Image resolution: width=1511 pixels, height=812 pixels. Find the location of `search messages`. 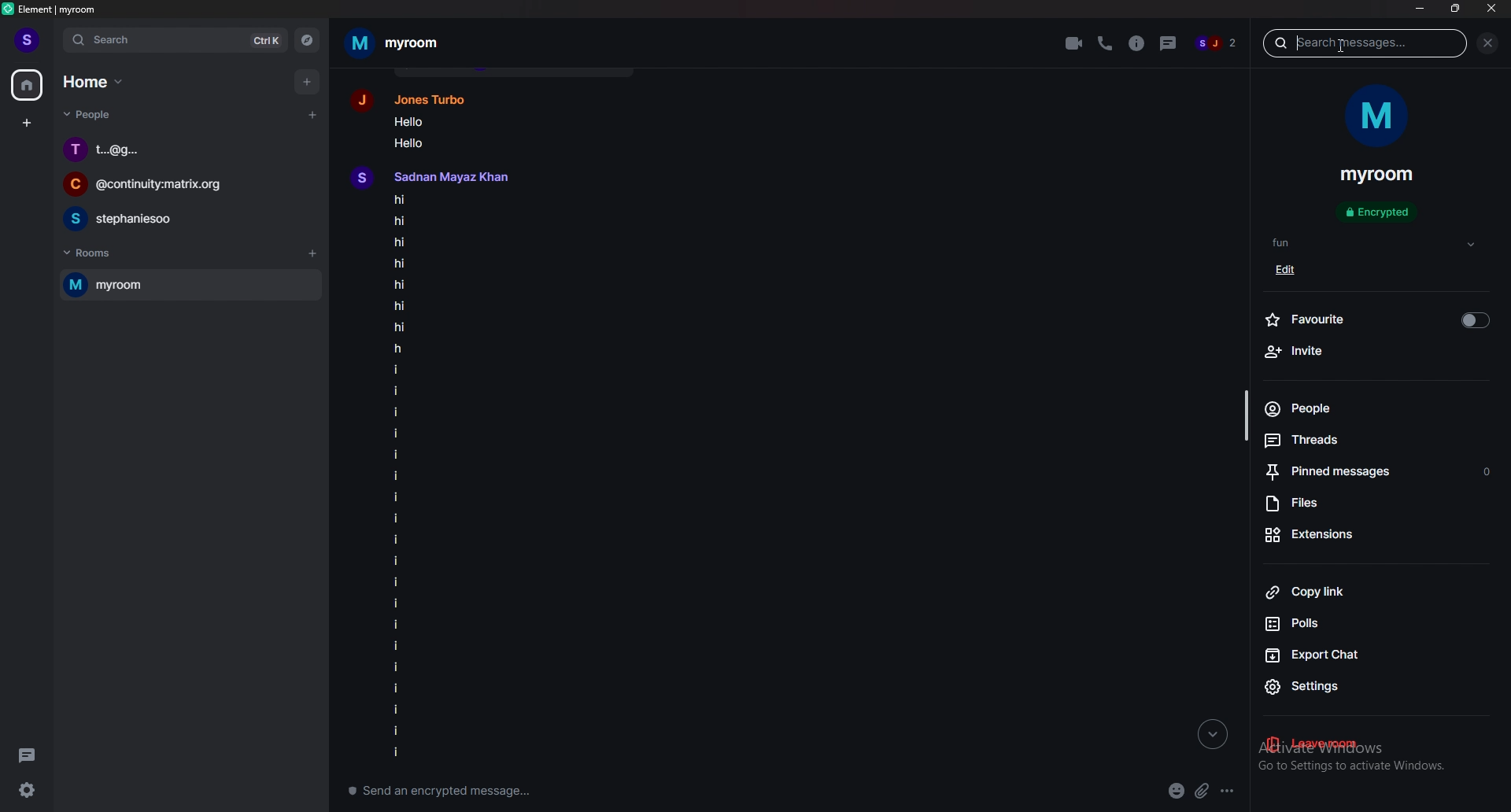

search messages is located at coordinates (1362, 43).